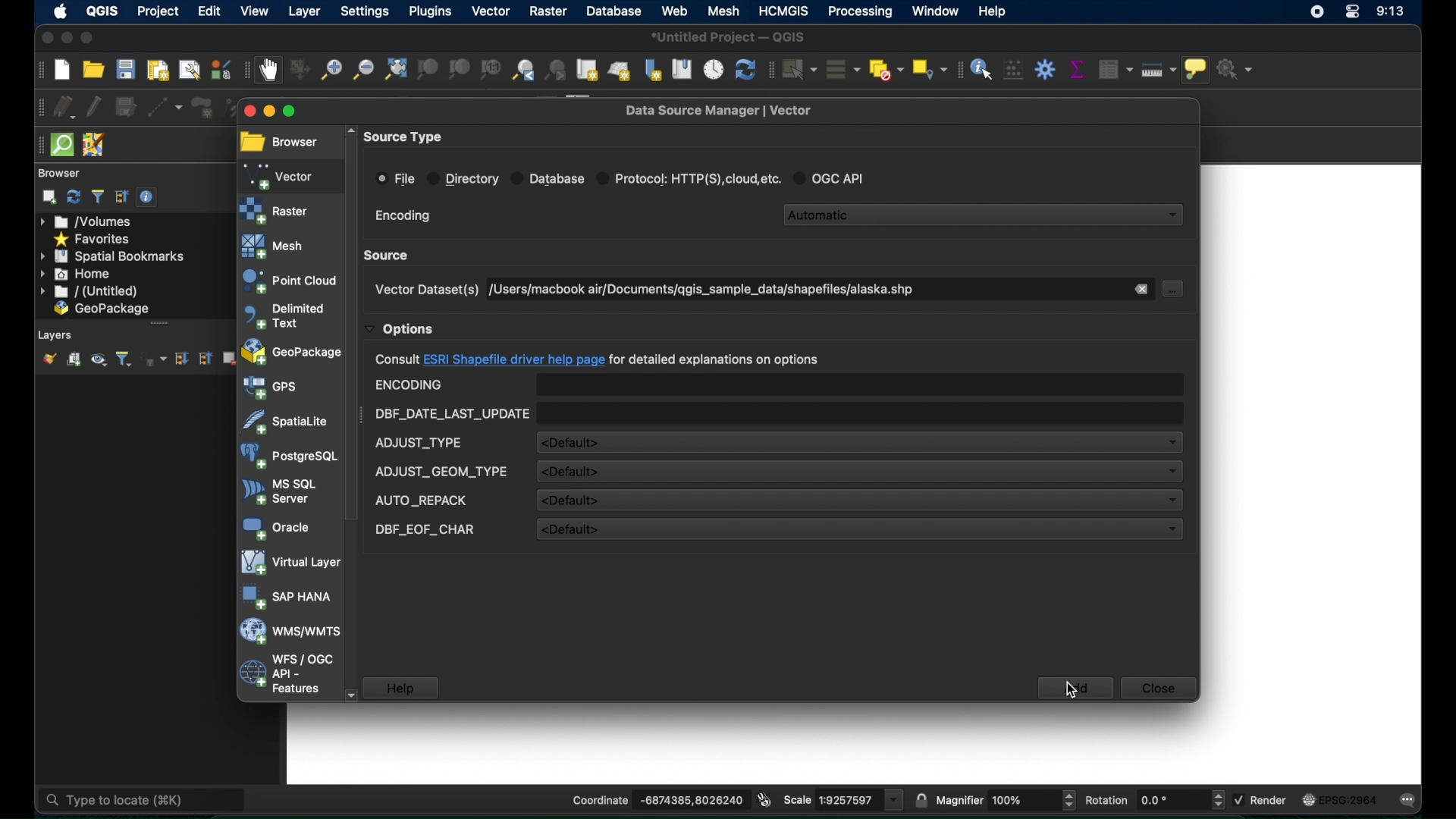  What do you see at coordinates (256, 11) in the screenshot?
I see `view` at bounding box center [256, 11].